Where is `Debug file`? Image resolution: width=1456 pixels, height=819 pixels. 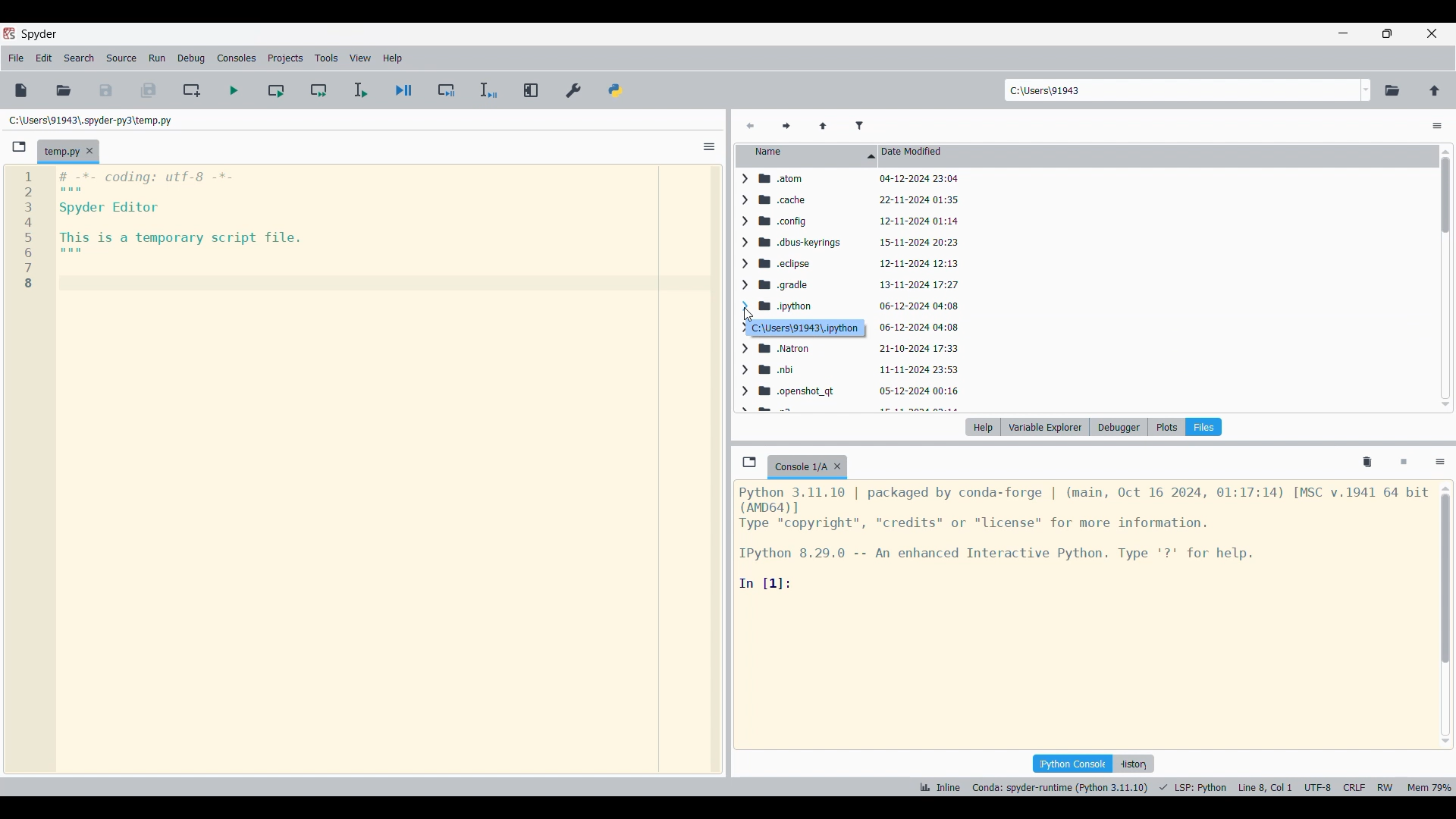
Debug file is located at coordinates (404, 90).